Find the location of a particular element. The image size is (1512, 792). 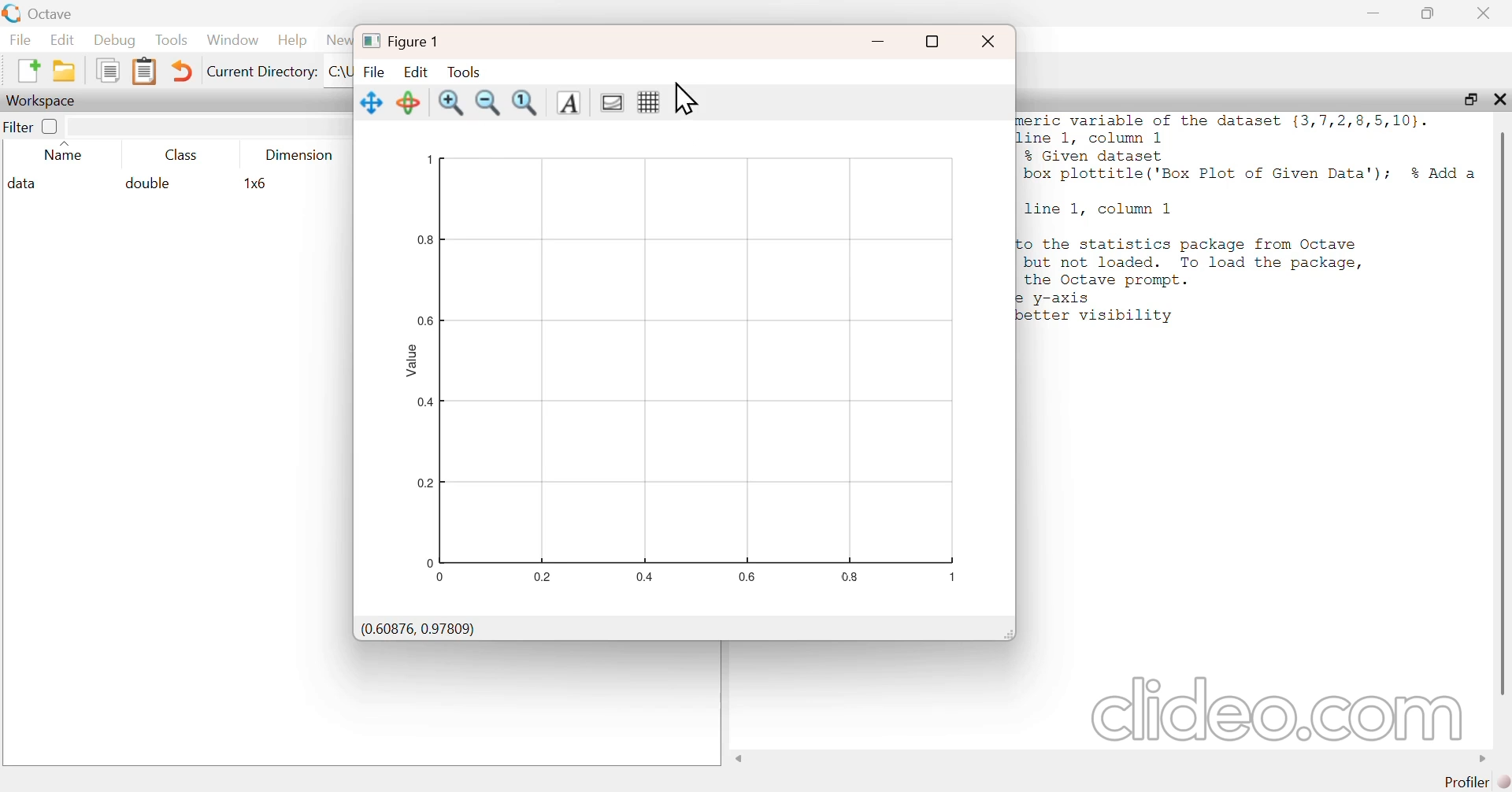

grid icon is located at coordinates (647, 103).